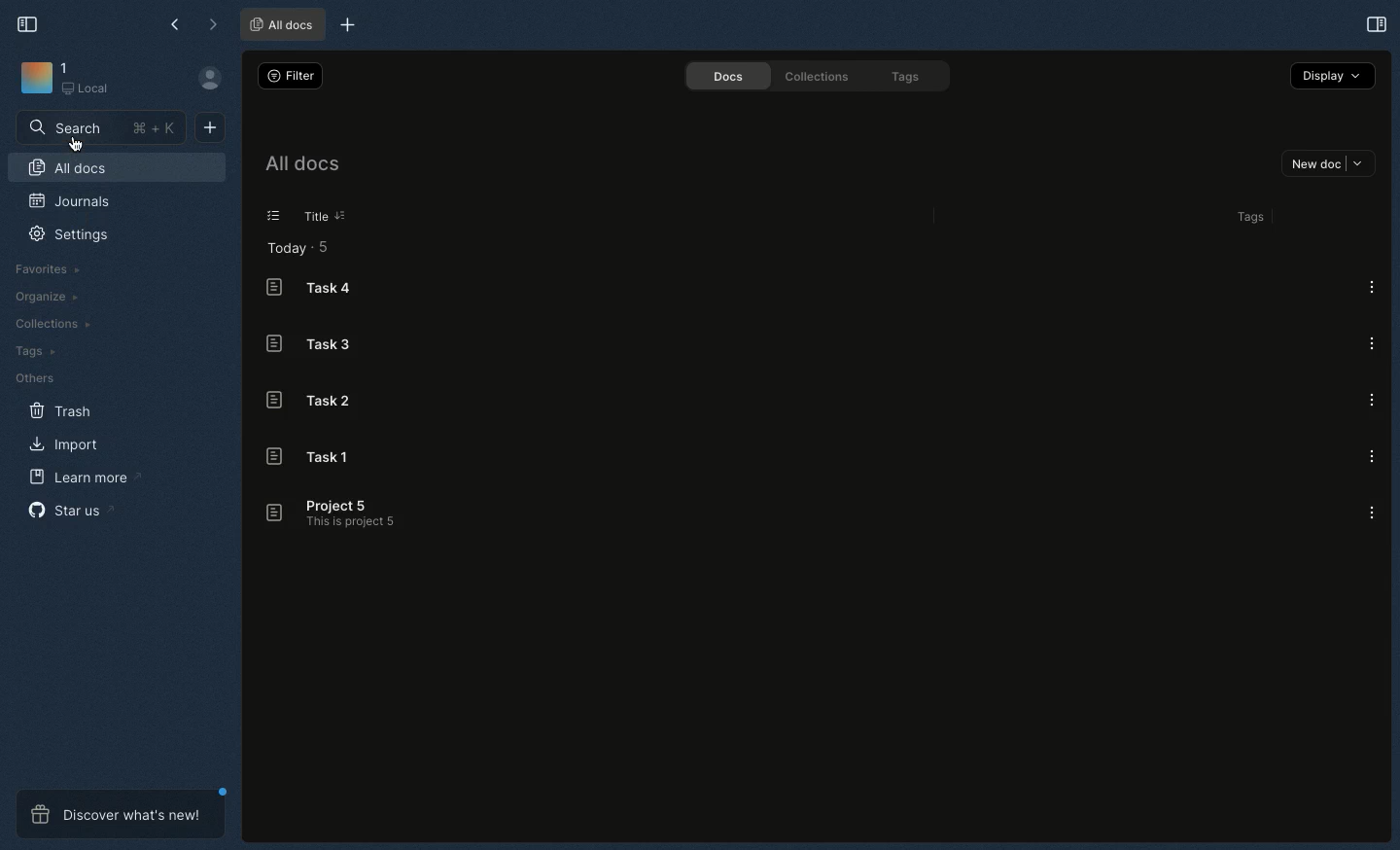 Image resolution: width=1400 pixels, height=850 pixels. Describe the element at coordinates (904, 75) in the screenshot. I see `Tags` at that location.